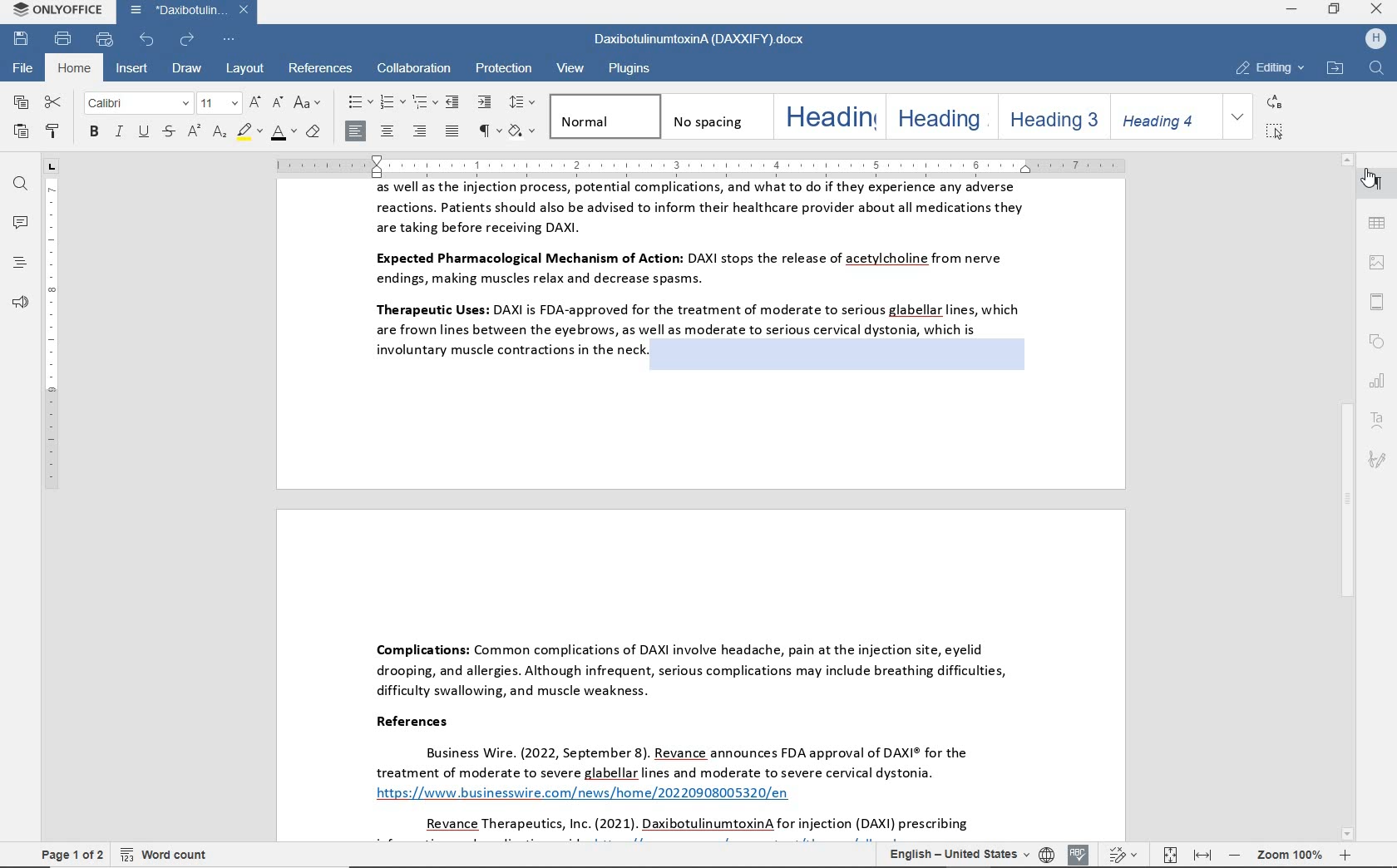 Image resolution: width=1397 pixels, height=868 pixels. I want to click on highlighted, so click(838, 353).